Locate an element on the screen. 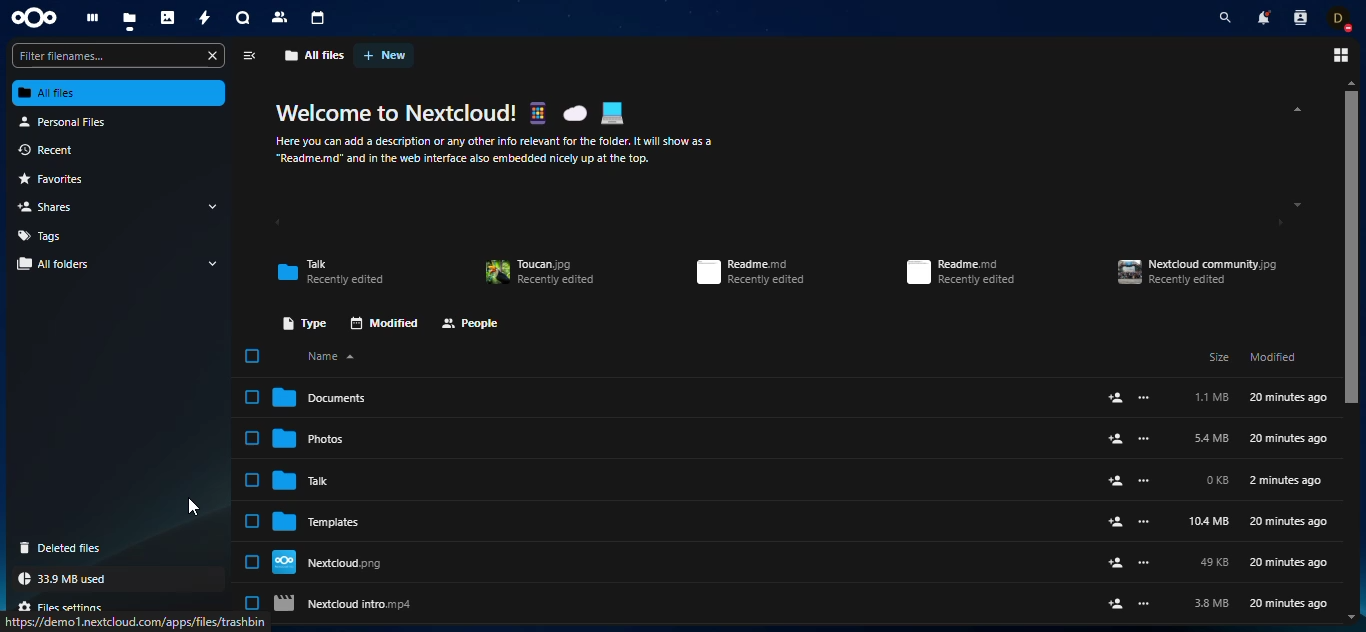 This screenshot has width=1366, height=632. Filter filenames...  is located at coordinates (118, 54).